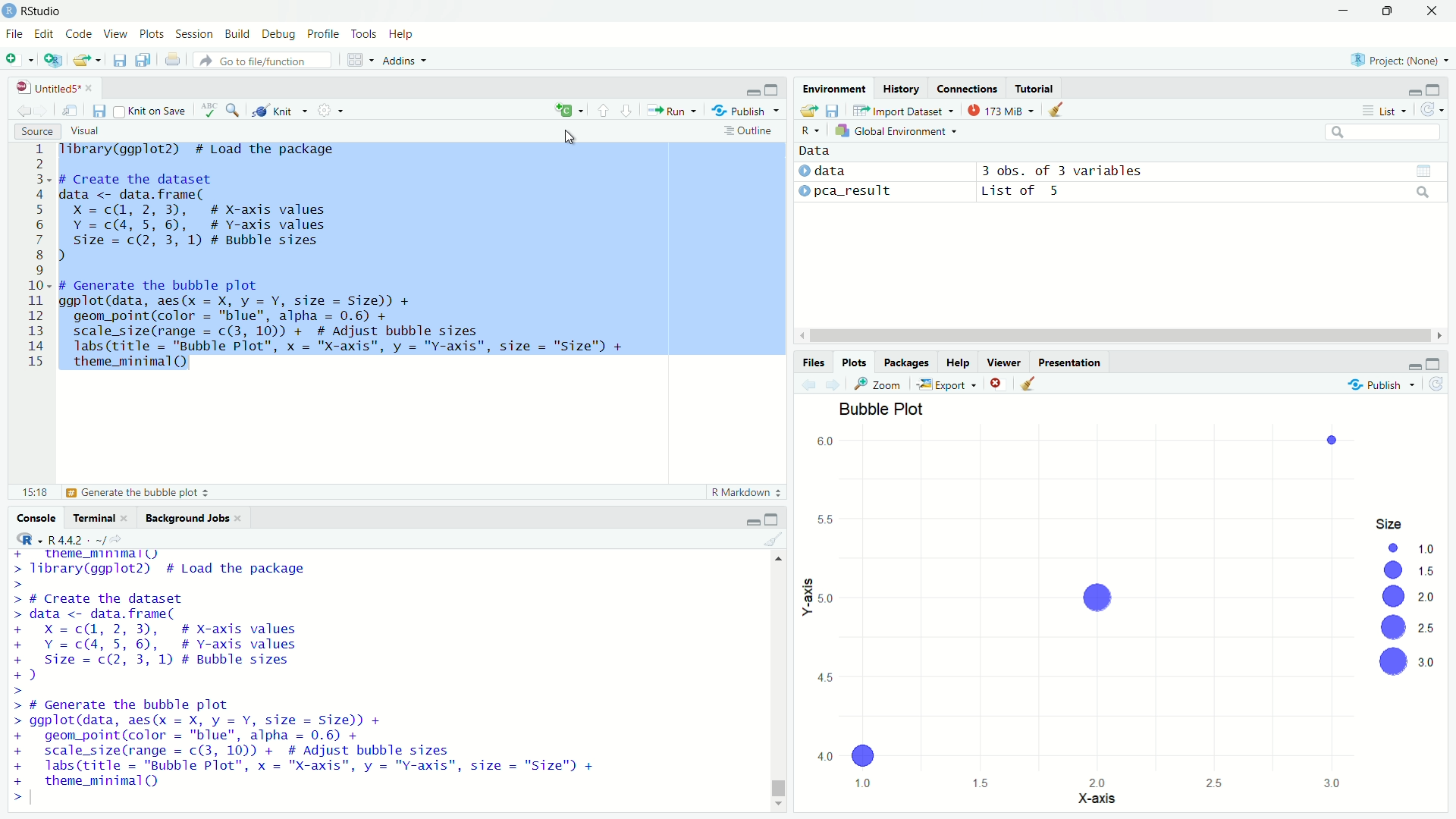 The height and width of the screenshot is (819, 1456). I want to click on untitled 5, so click(51, 88).